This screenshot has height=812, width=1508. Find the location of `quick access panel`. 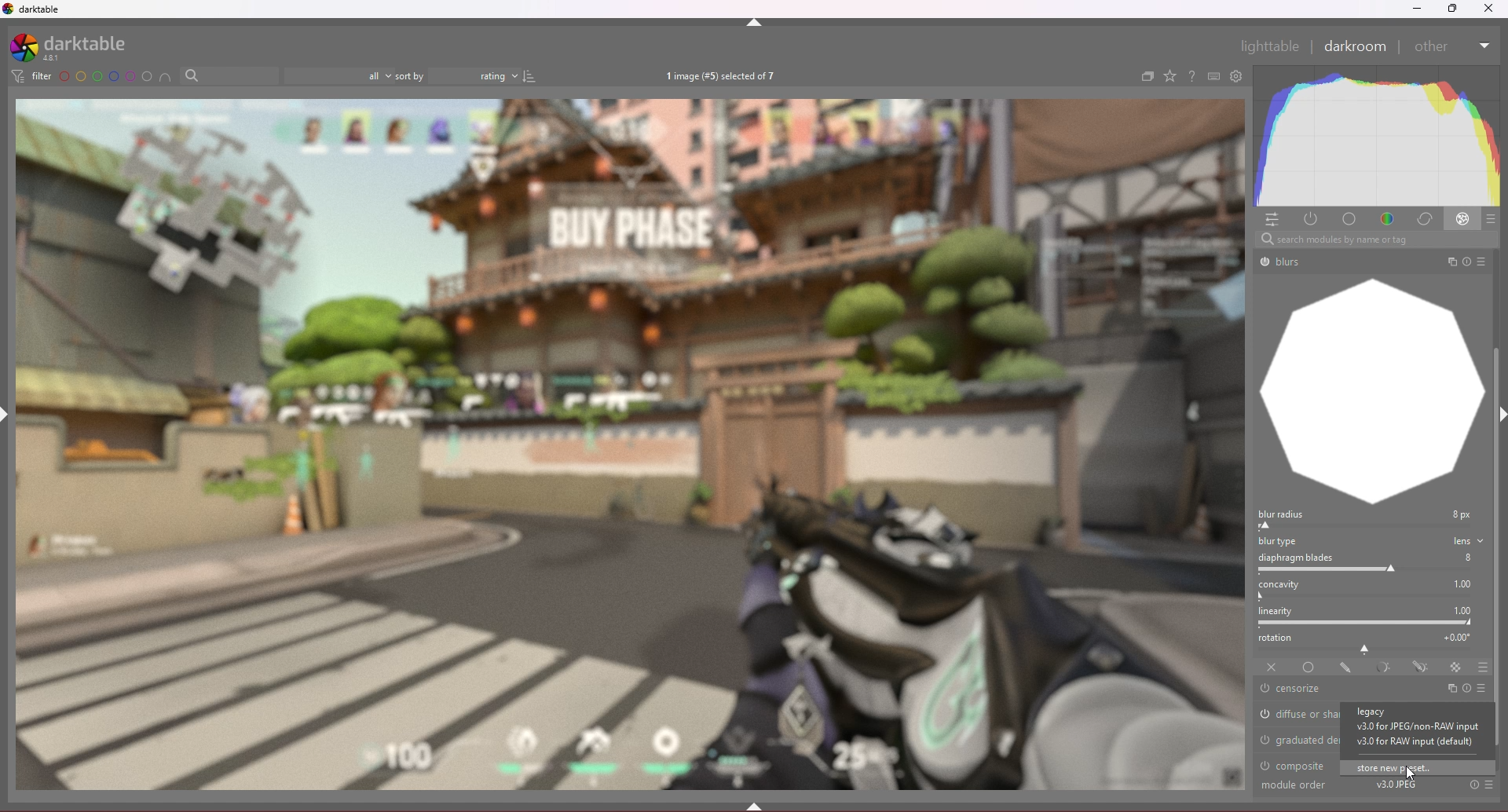

quick access panel is located at coordinates (1271, 220).